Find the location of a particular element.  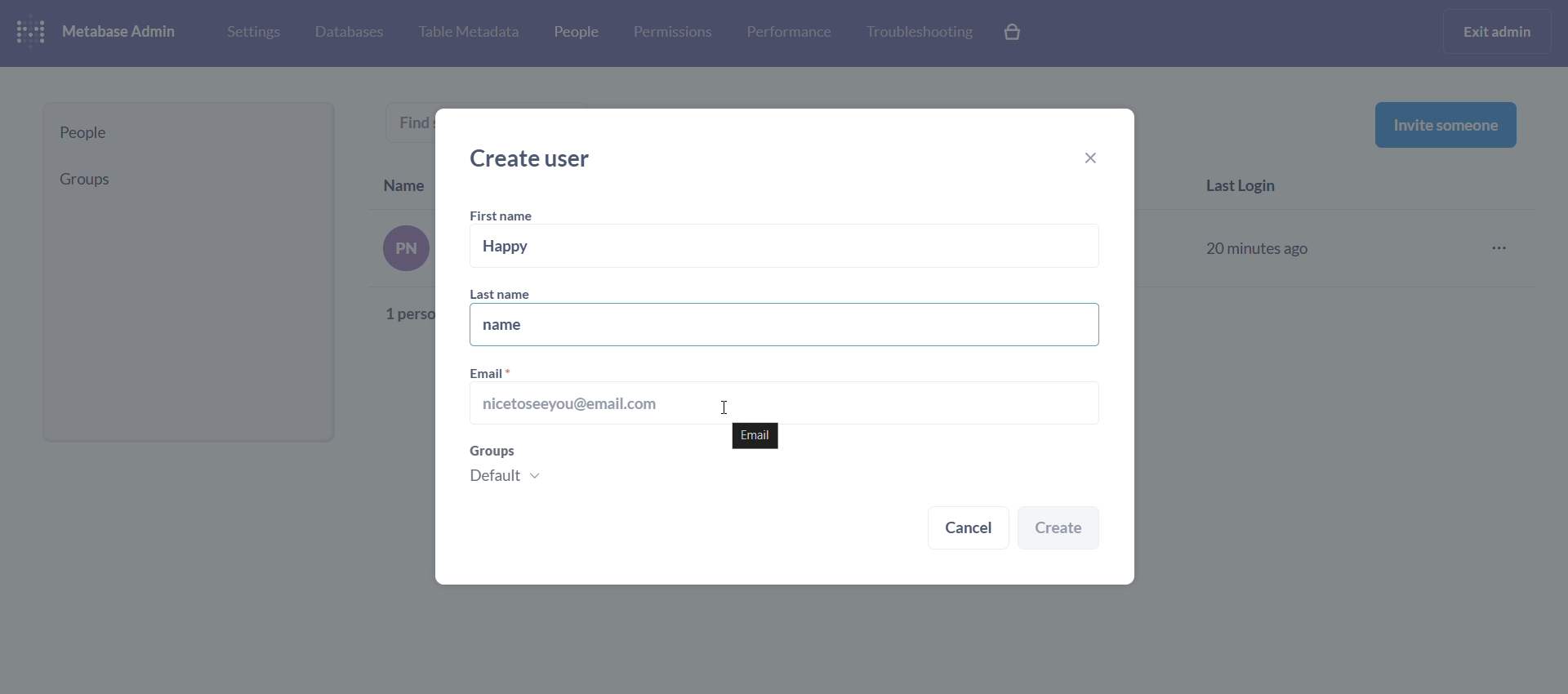

Name is located at coordinates (405, 182).